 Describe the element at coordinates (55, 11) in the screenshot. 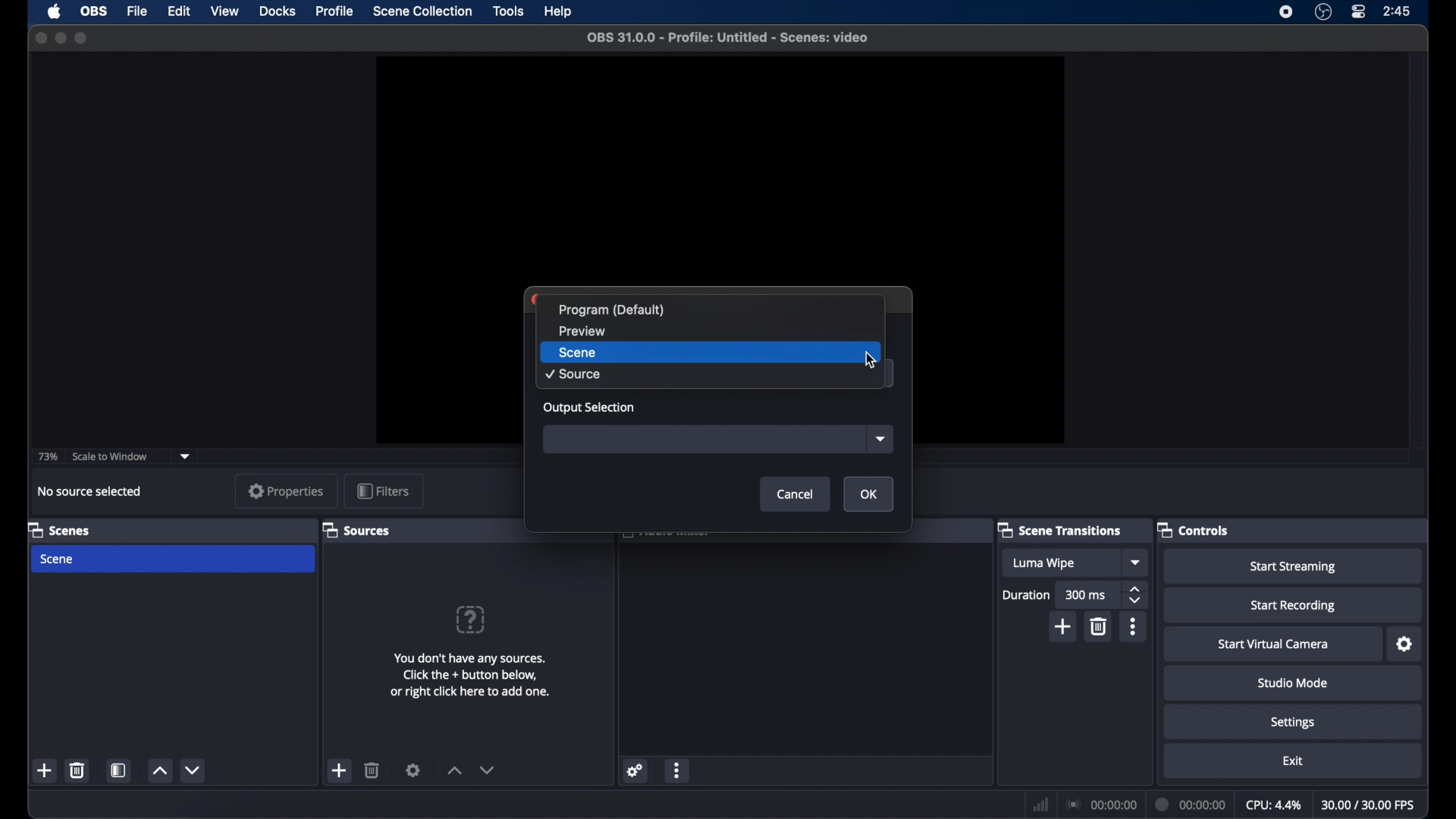

I see `apple icon` at that location.